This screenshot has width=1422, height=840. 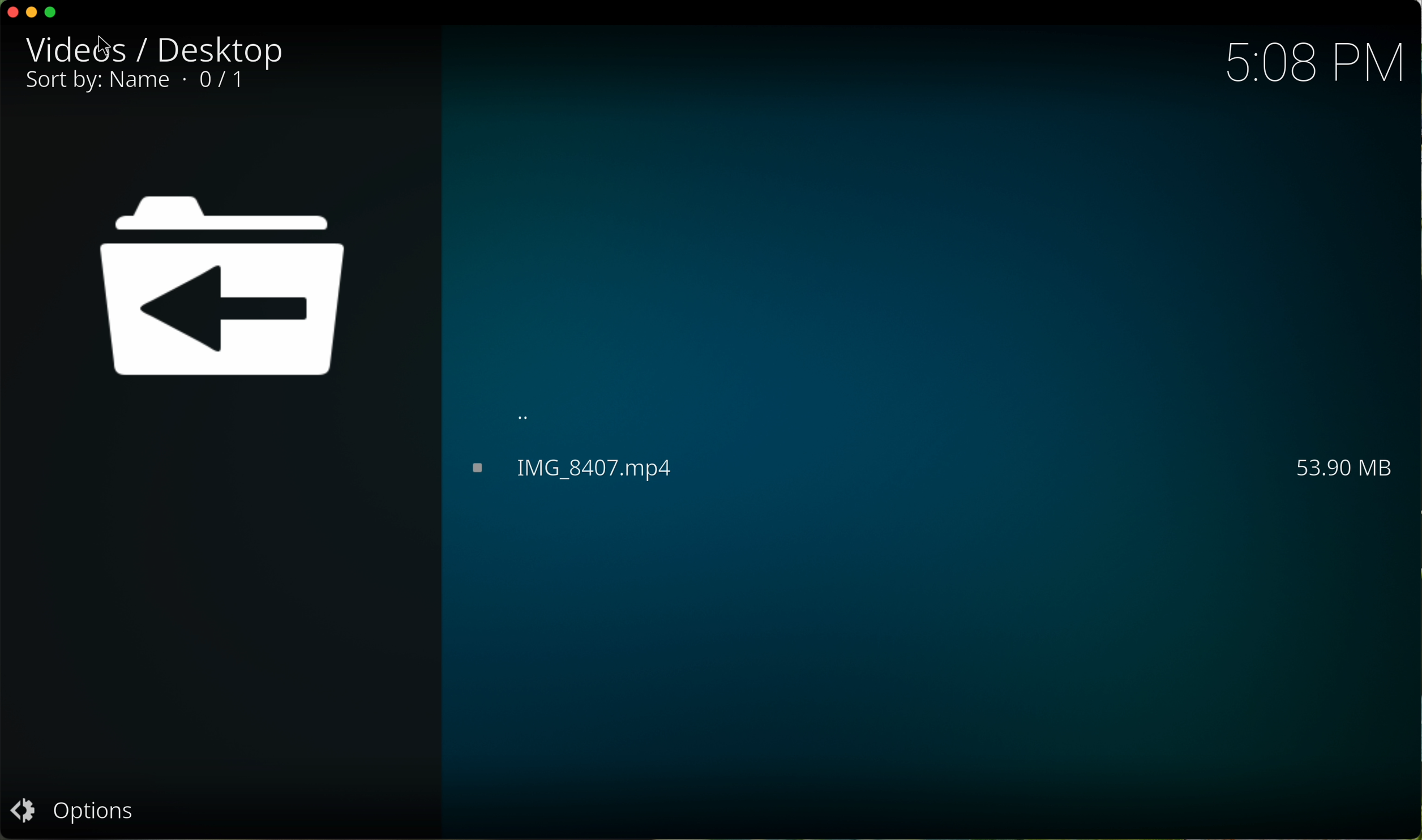 I want to click on back, so click(x=527, y=409).